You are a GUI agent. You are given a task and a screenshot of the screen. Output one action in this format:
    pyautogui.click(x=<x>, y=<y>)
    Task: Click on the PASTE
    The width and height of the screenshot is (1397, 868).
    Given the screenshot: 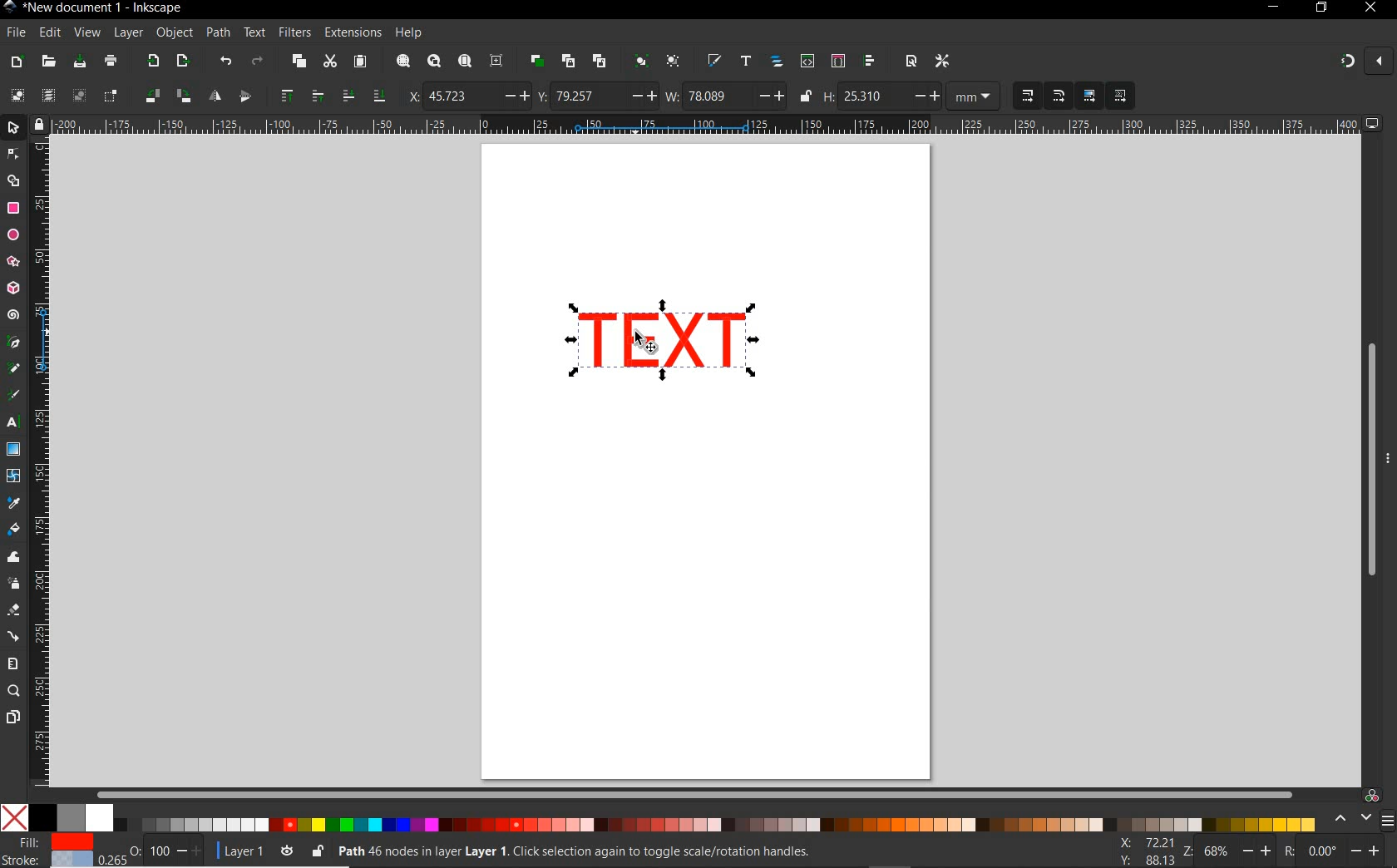 What is the action you would take?
    pyautogui.click(x=361, y=62)
    